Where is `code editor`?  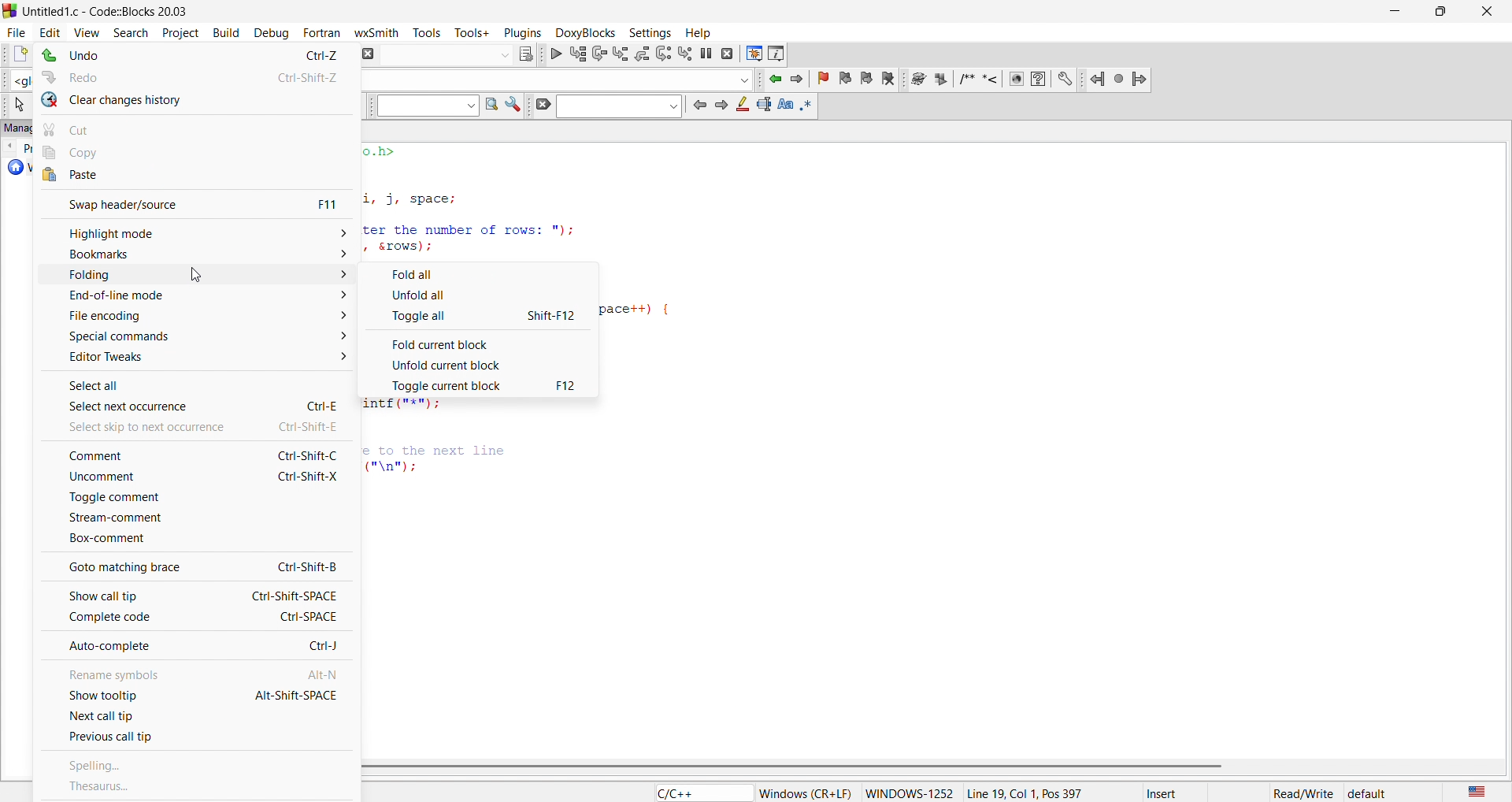
code editor is located at coordinates (493, 200).